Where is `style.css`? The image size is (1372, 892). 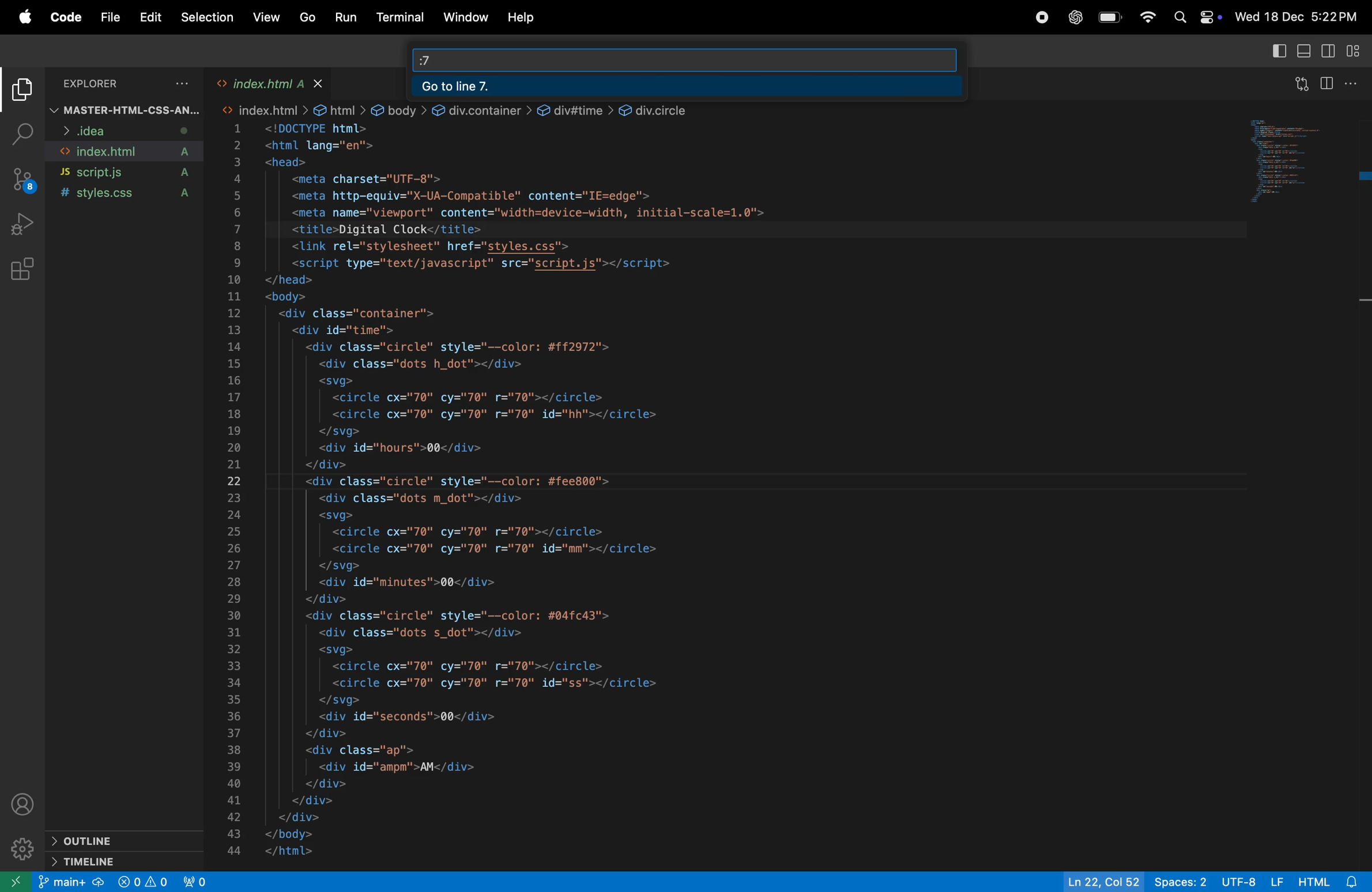
style.css is located at coordinates (129, 195).